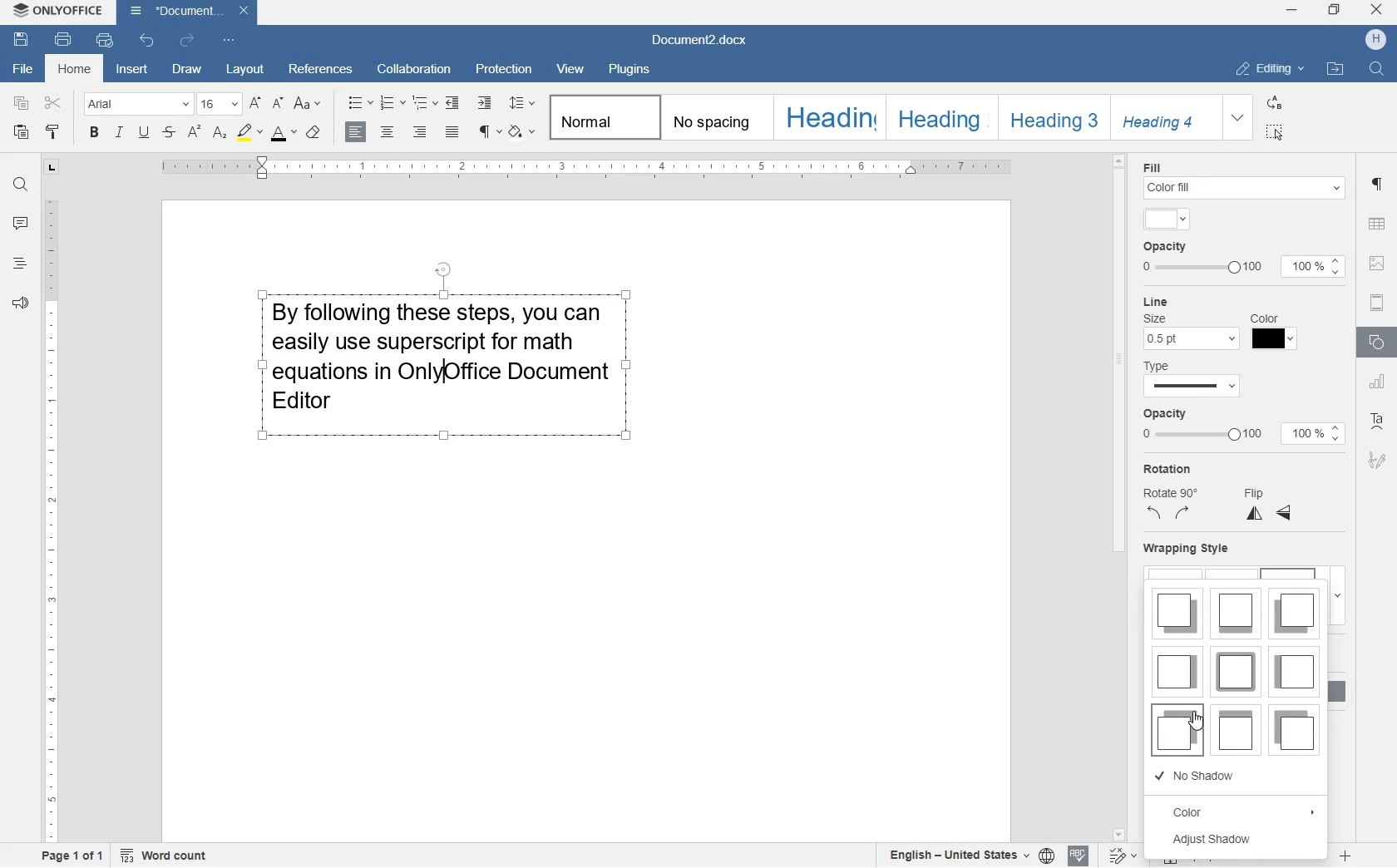 The image size is (1397, 868). What do you see at coordinates (51, 169) in the screenshot?
I see `tab` at bounding box center [51, 169].